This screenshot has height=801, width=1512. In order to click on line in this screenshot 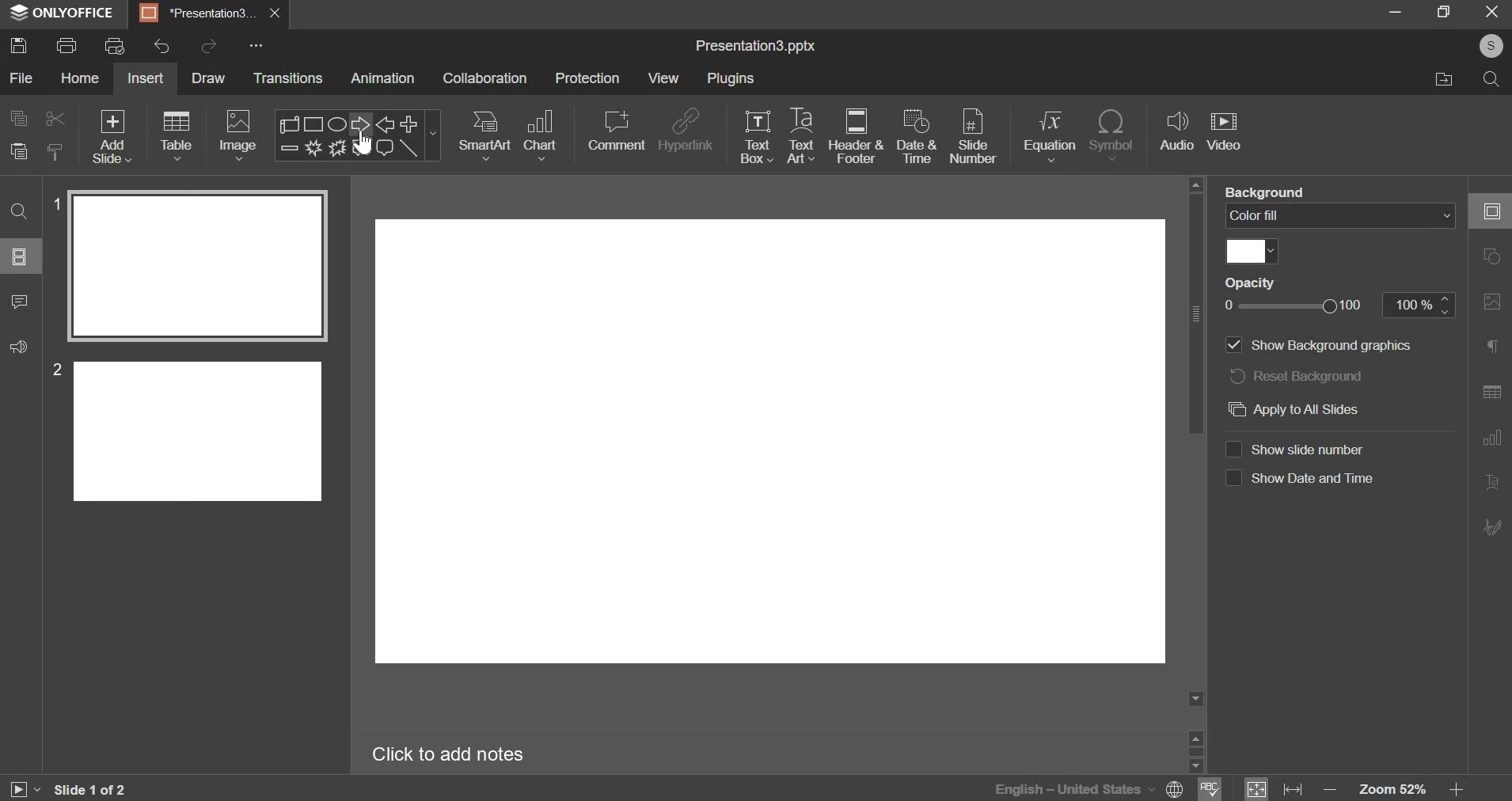, I will do `click(409, 148)`.